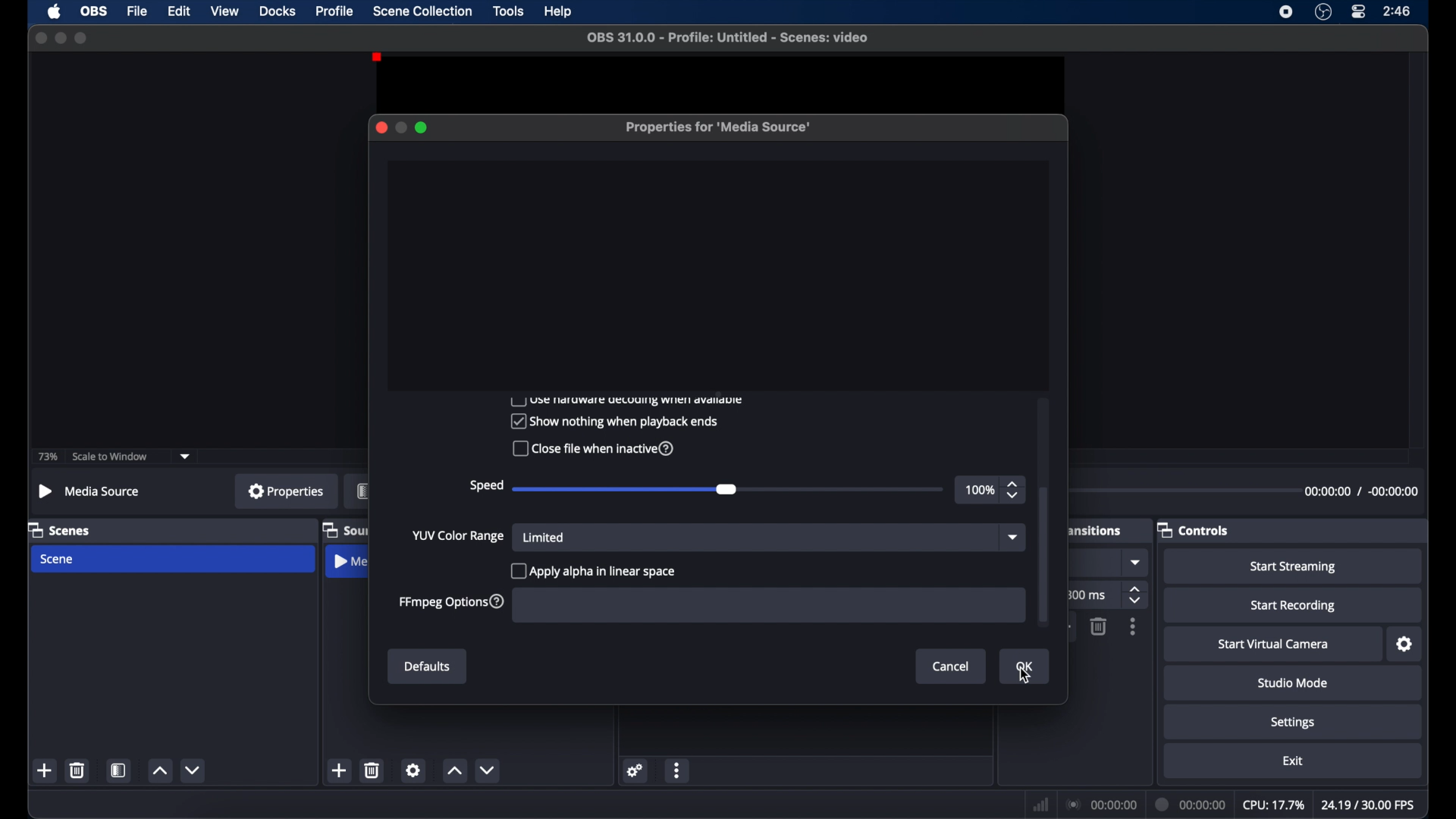  I want to click on maximize, so click(422, 127).